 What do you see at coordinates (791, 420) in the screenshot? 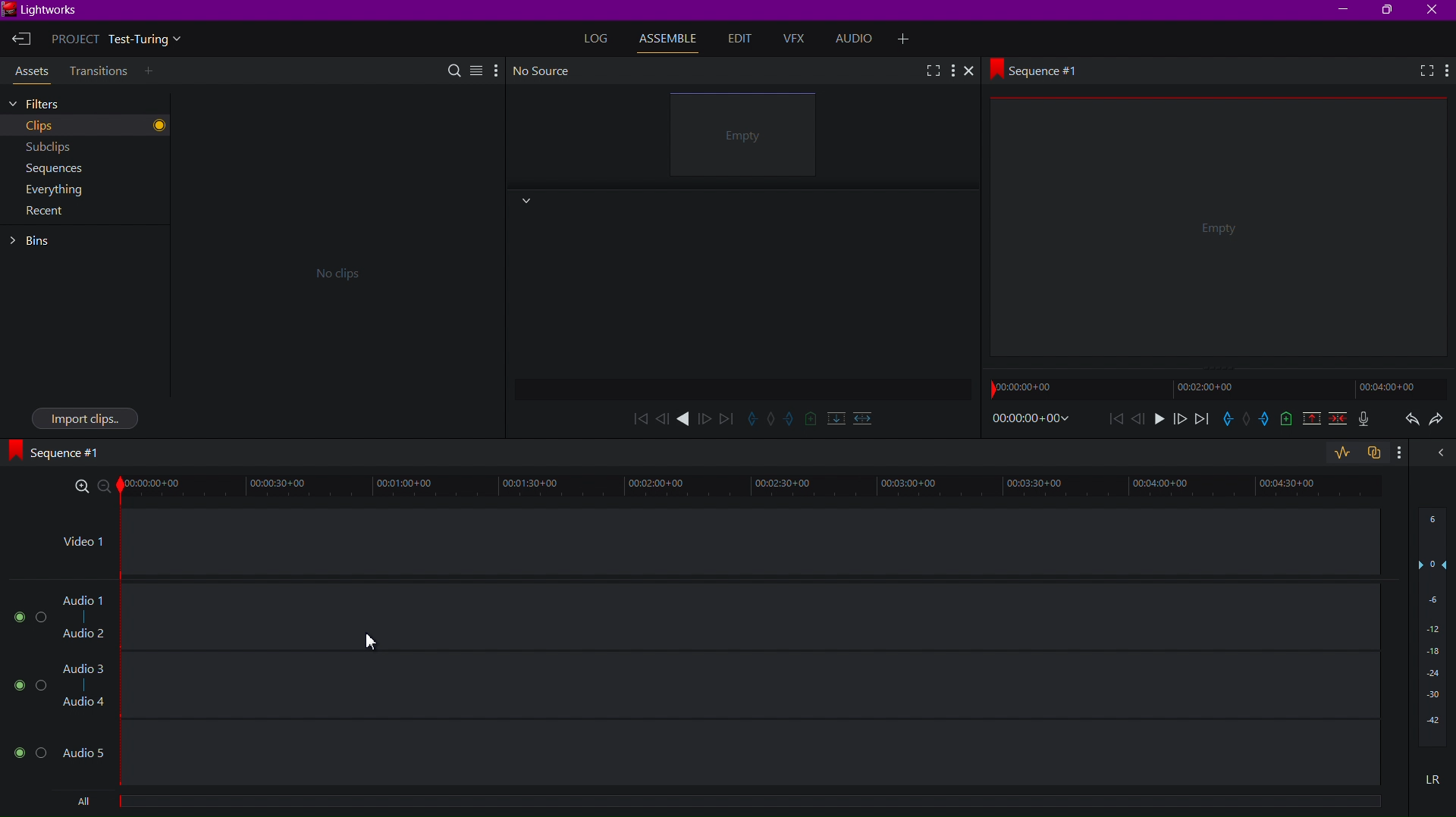
I see `slip edit` at bounding box center [791, 420].